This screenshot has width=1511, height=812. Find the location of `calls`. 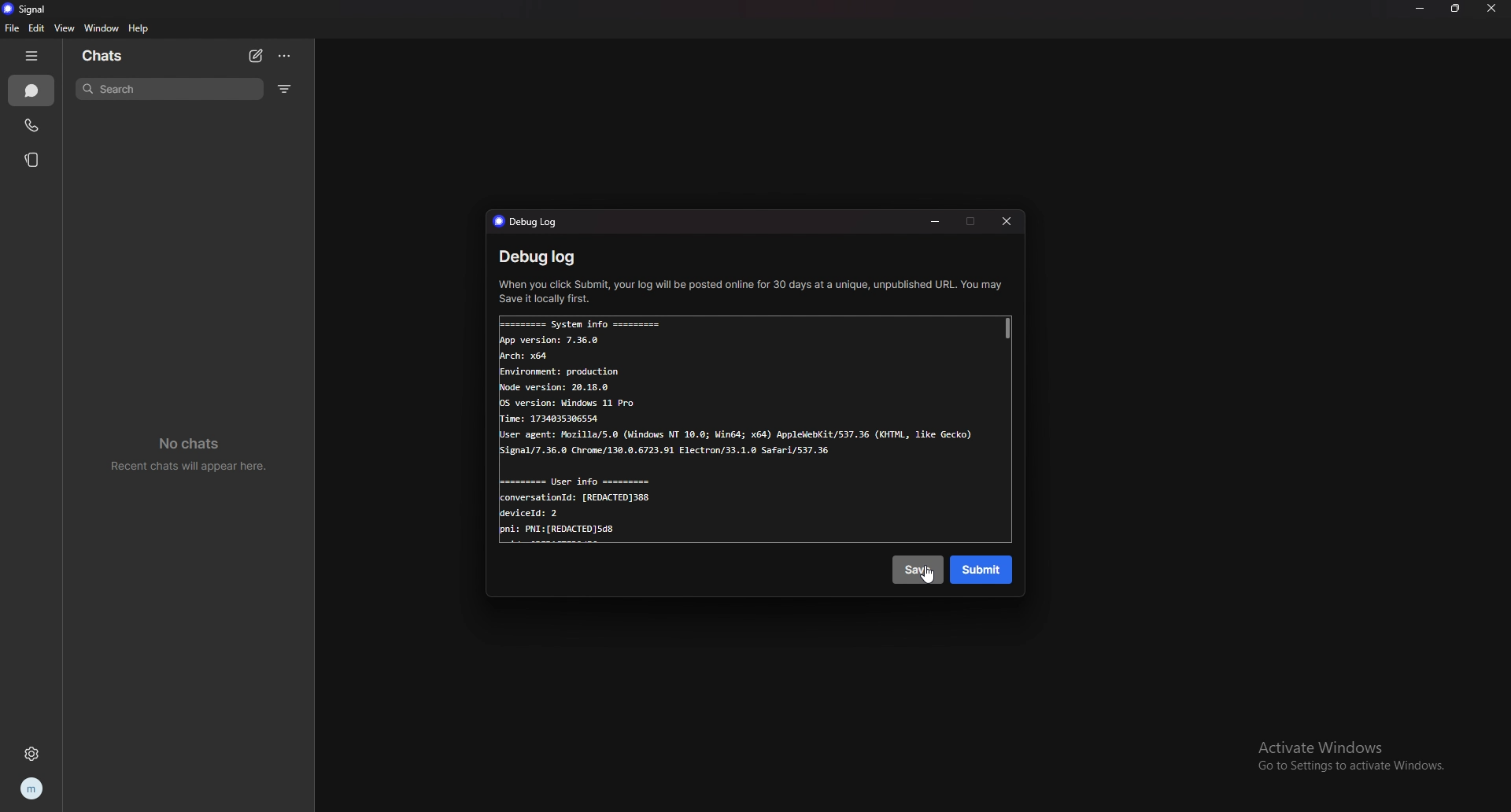

calls is located at coordinates (34, 127).